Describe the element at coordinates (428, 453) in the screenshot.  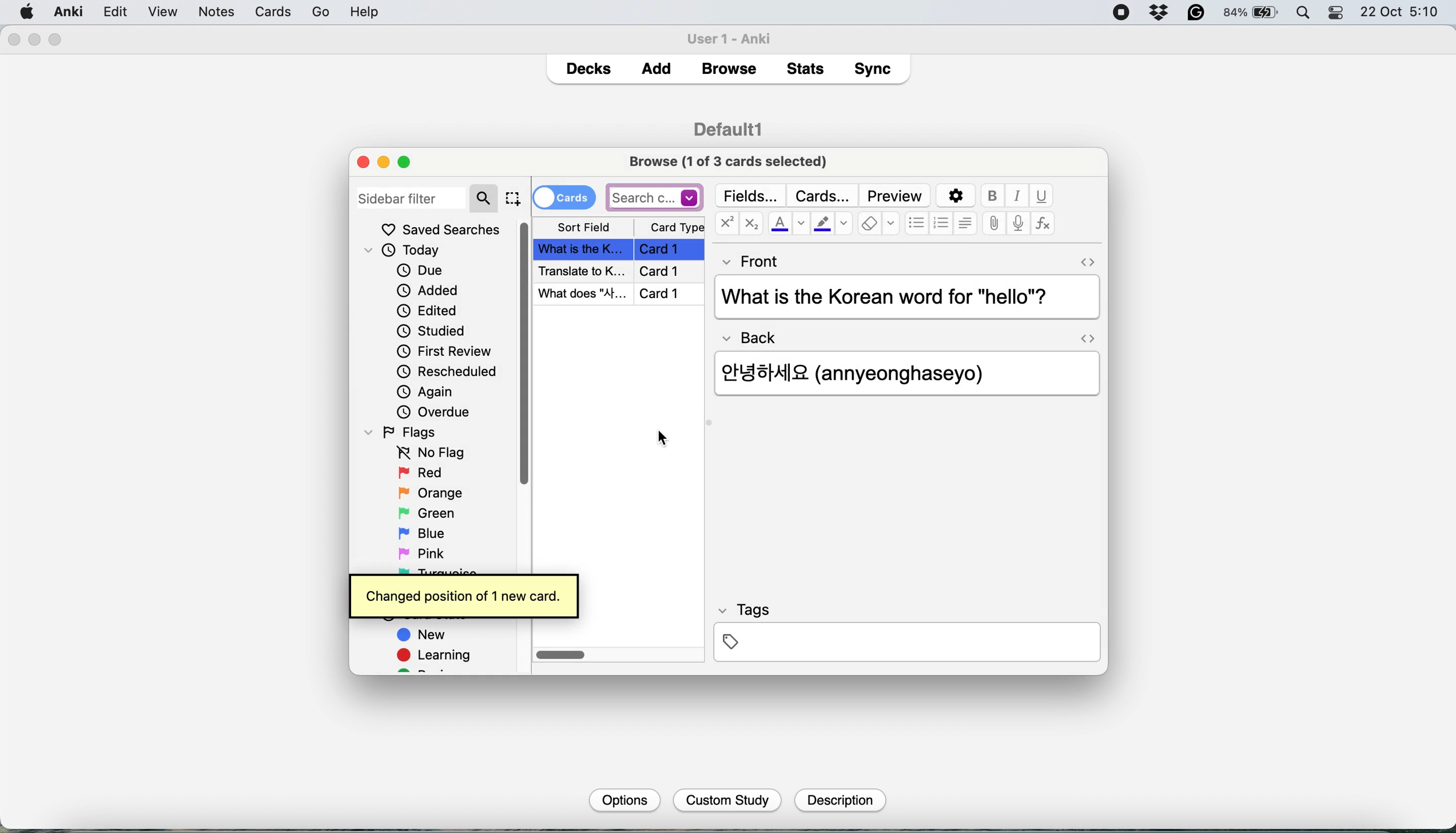
I see `no flag` at that location.